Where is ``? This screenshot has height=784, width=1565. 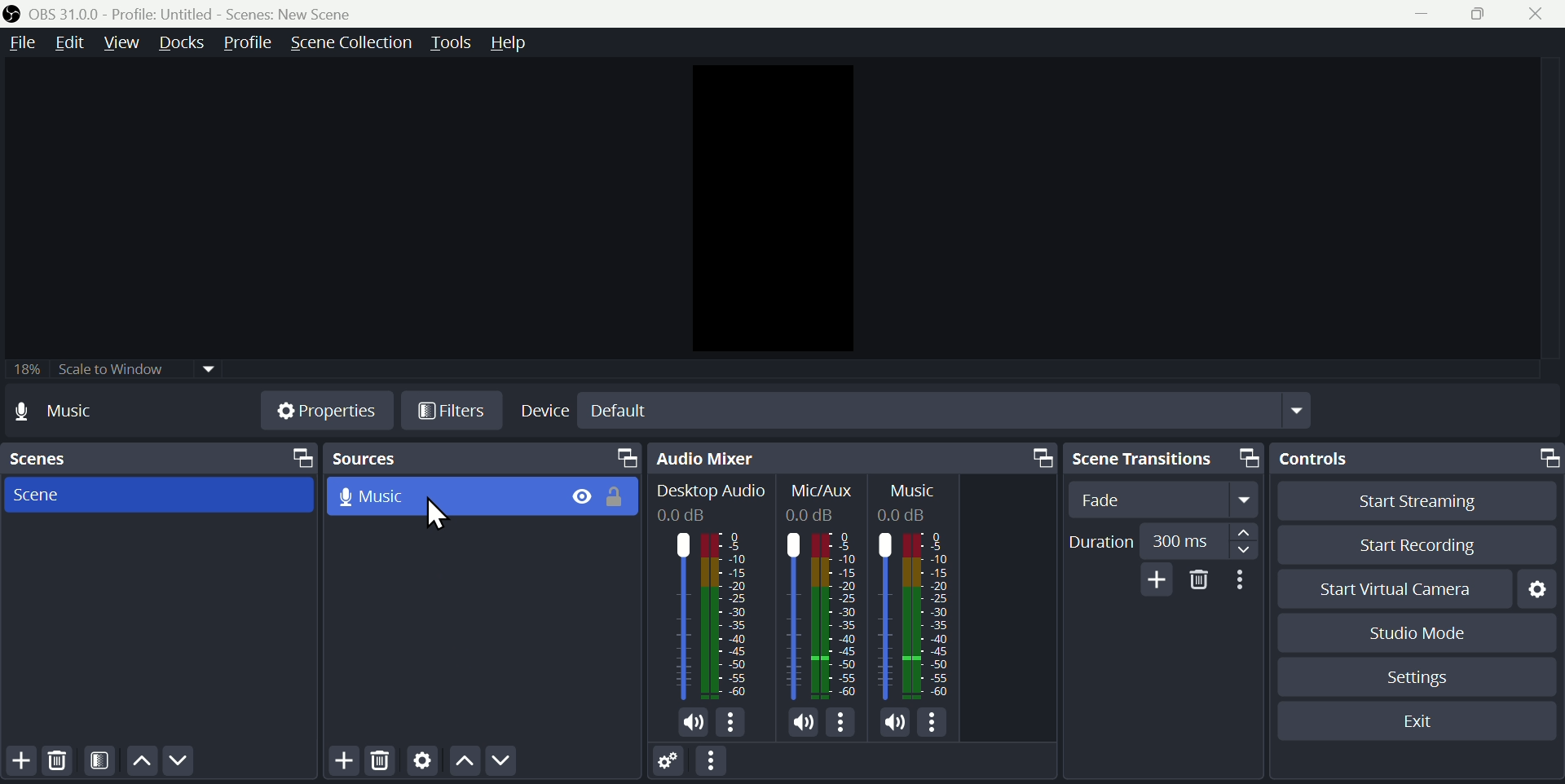
 is located at coordinates (824, 614).